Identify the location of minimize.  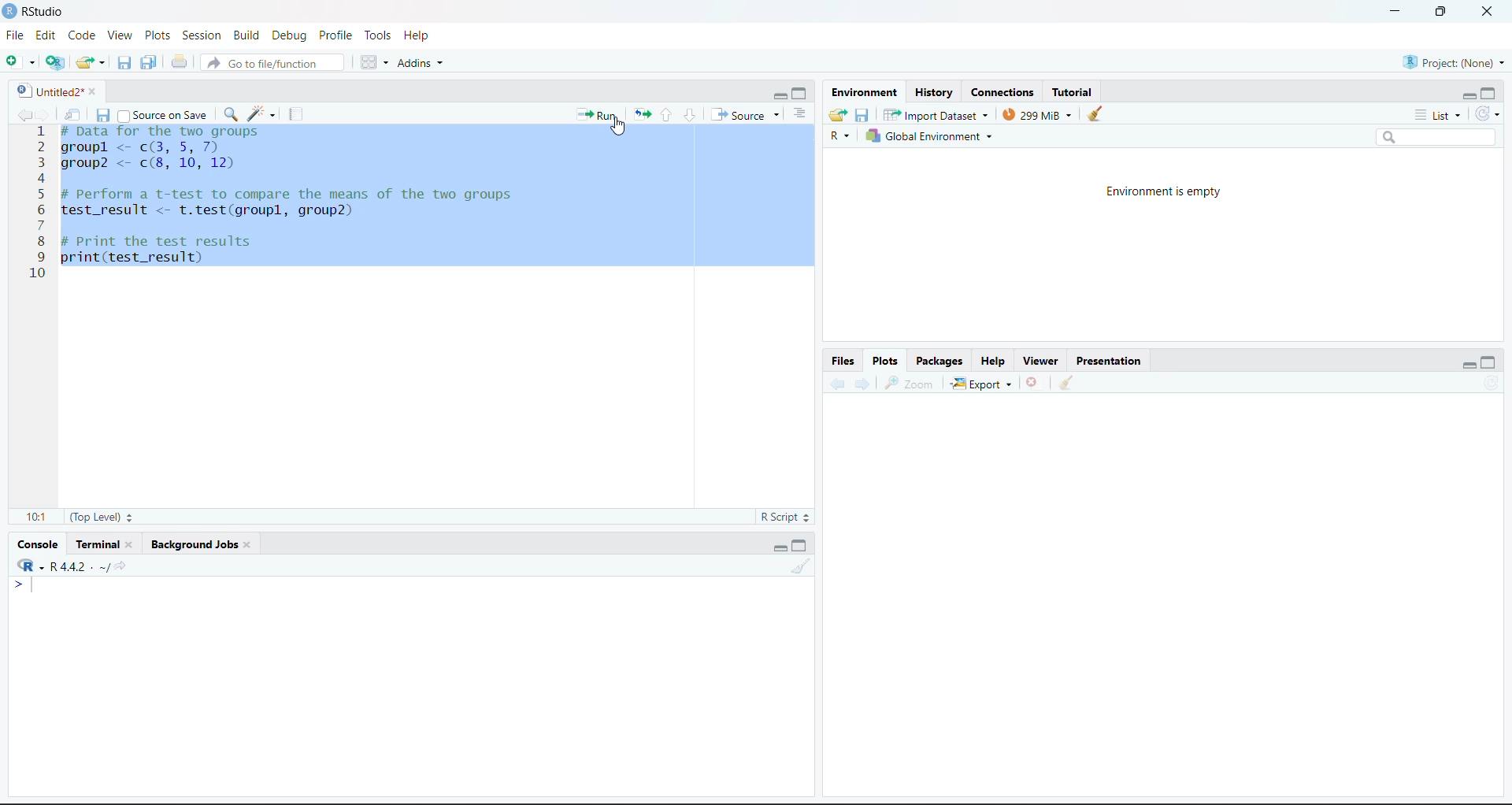
(781, 547).